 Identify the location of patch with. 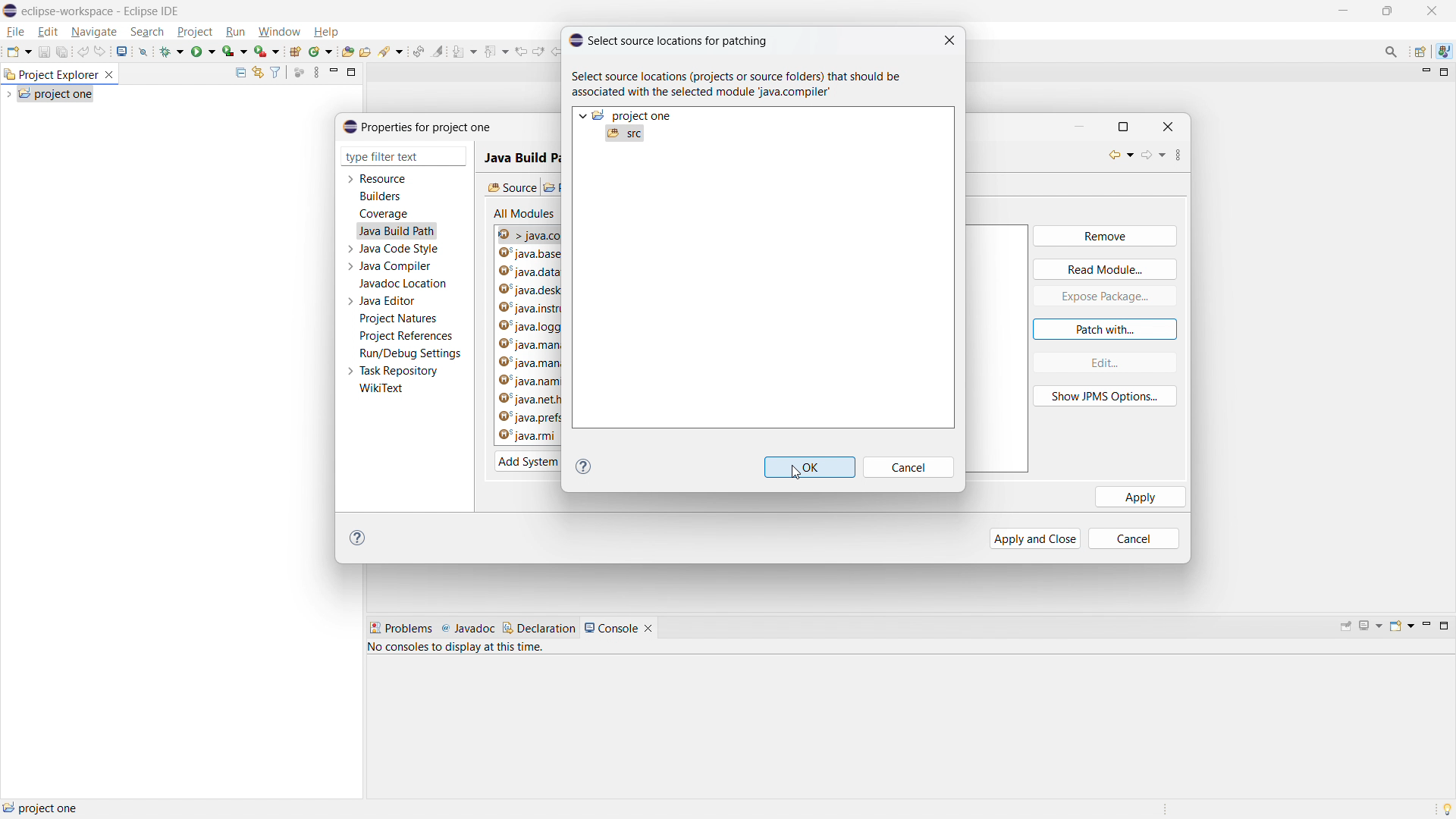
(1105, 329).